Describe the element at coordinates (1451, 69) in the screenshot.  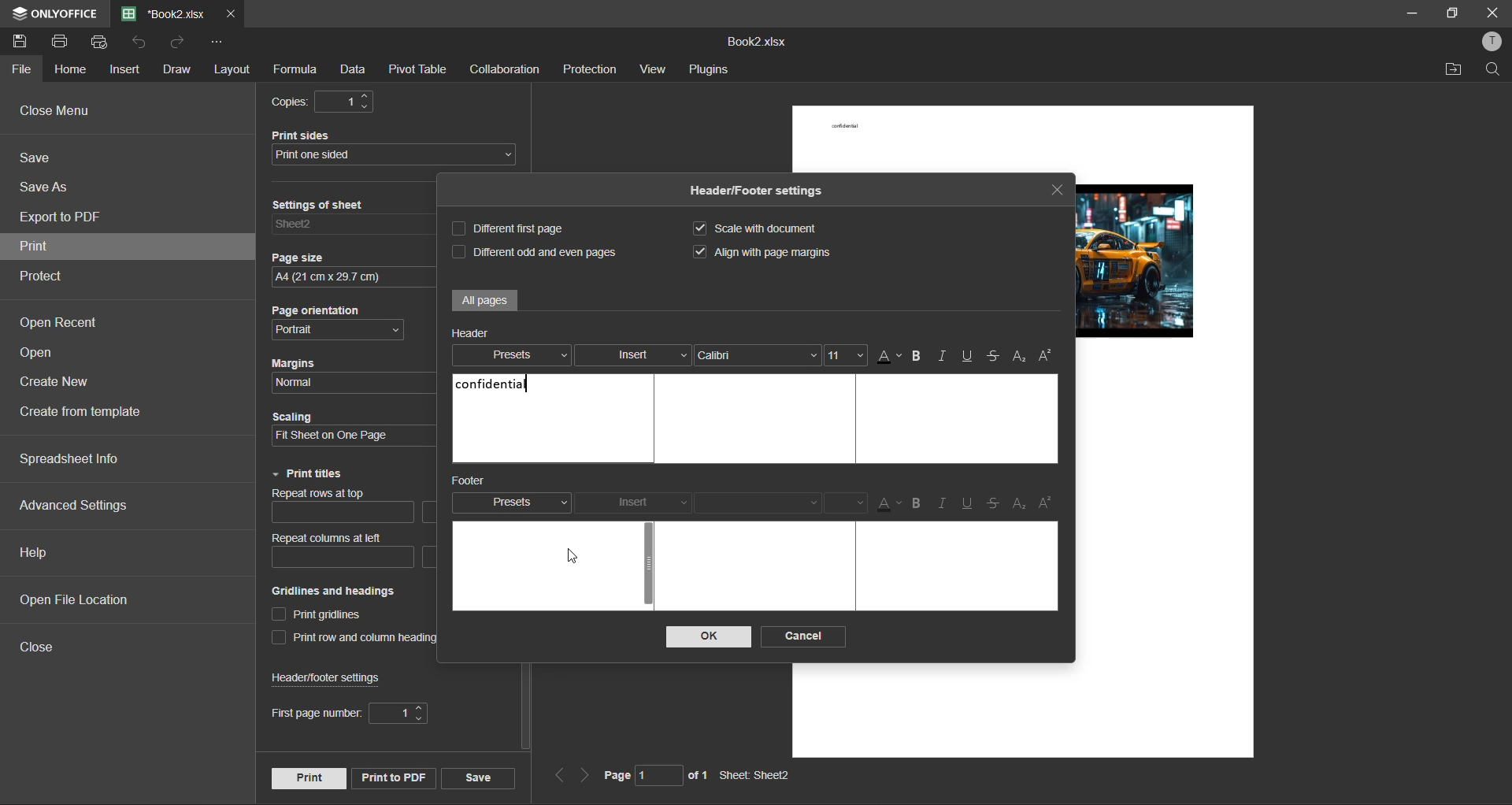
I see `open location` at that location.